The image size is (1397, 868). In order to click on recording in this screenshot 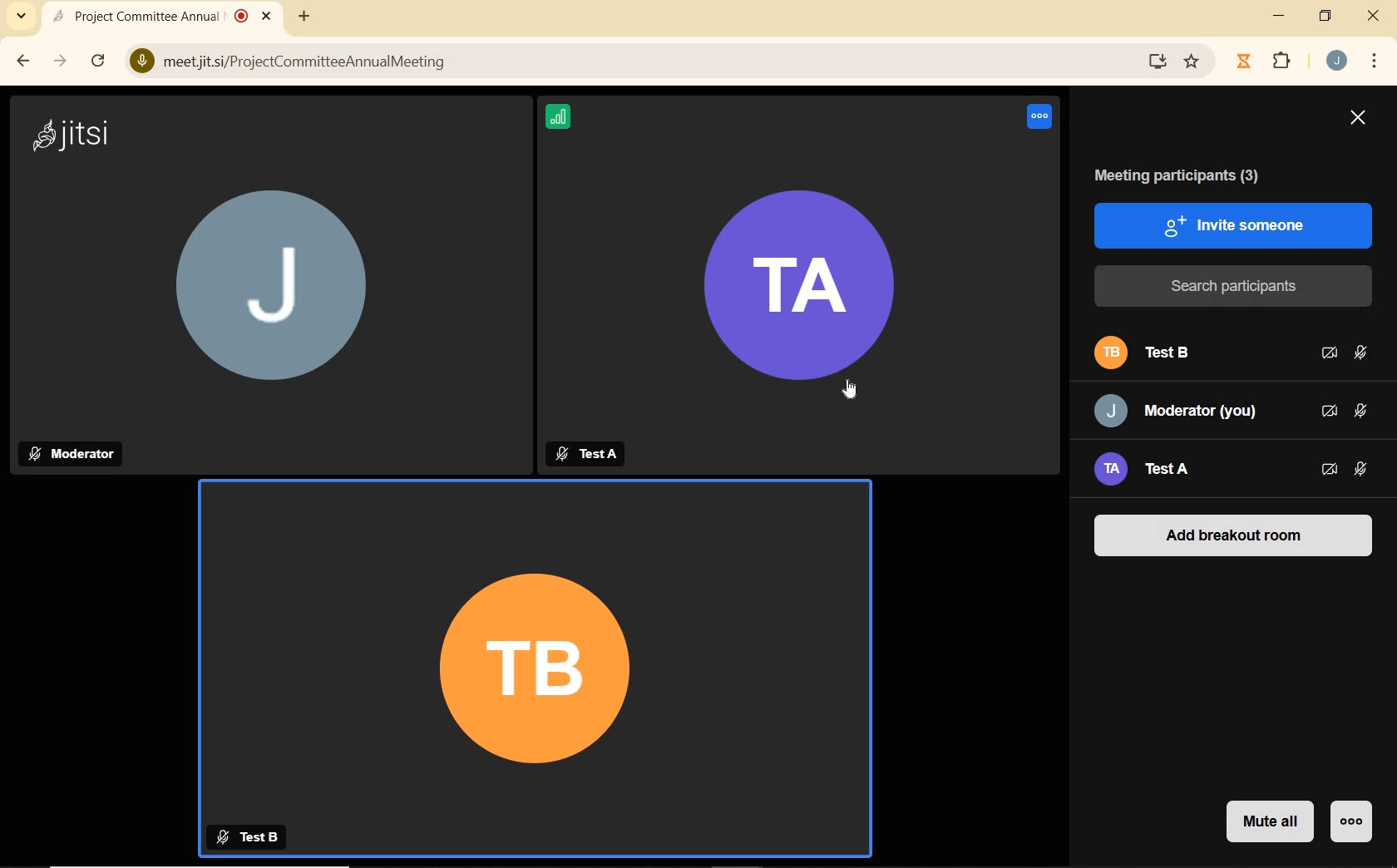, I will do `click(241, 15)`.